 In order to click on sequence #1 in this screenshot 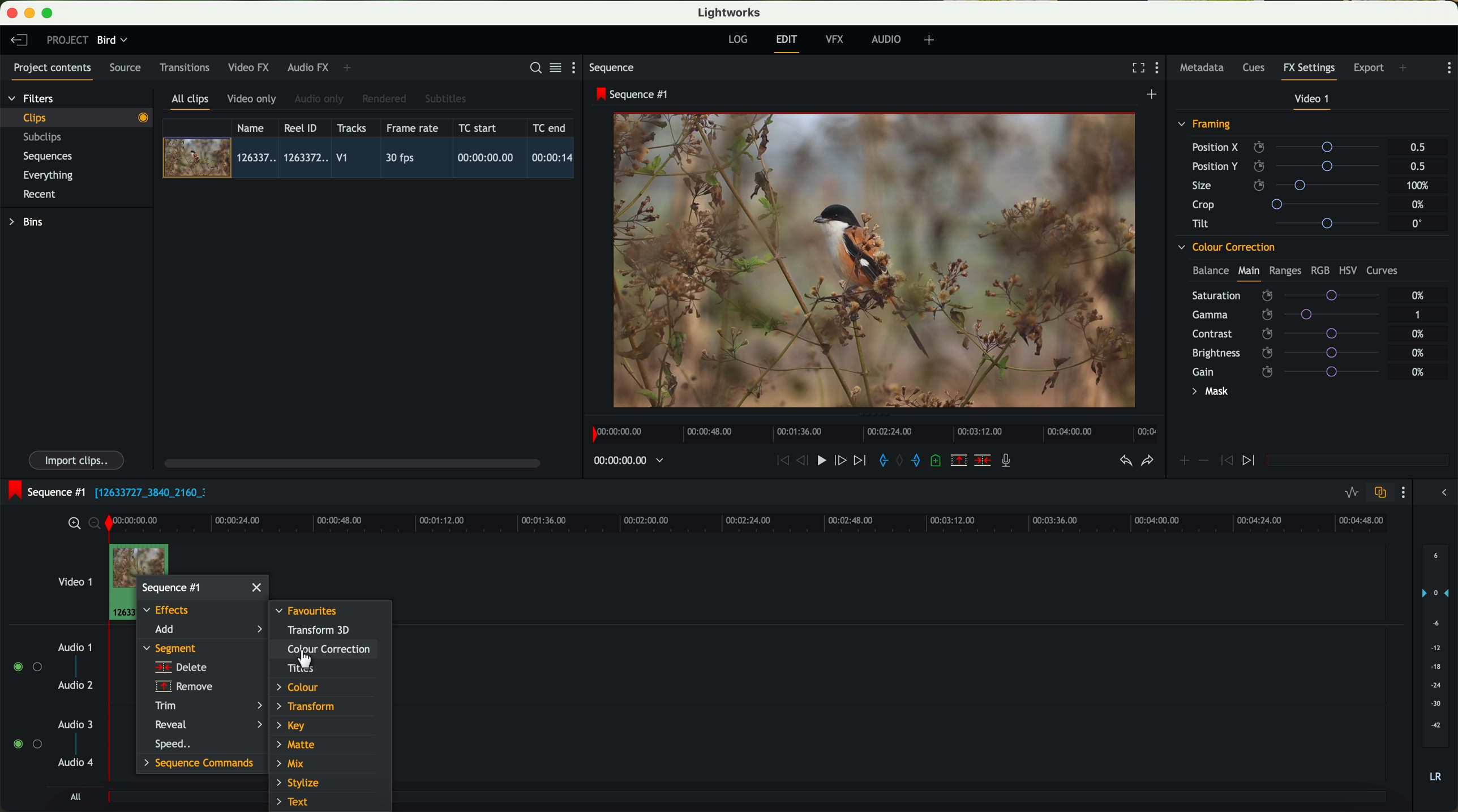, I will do `click(633, 94)`.